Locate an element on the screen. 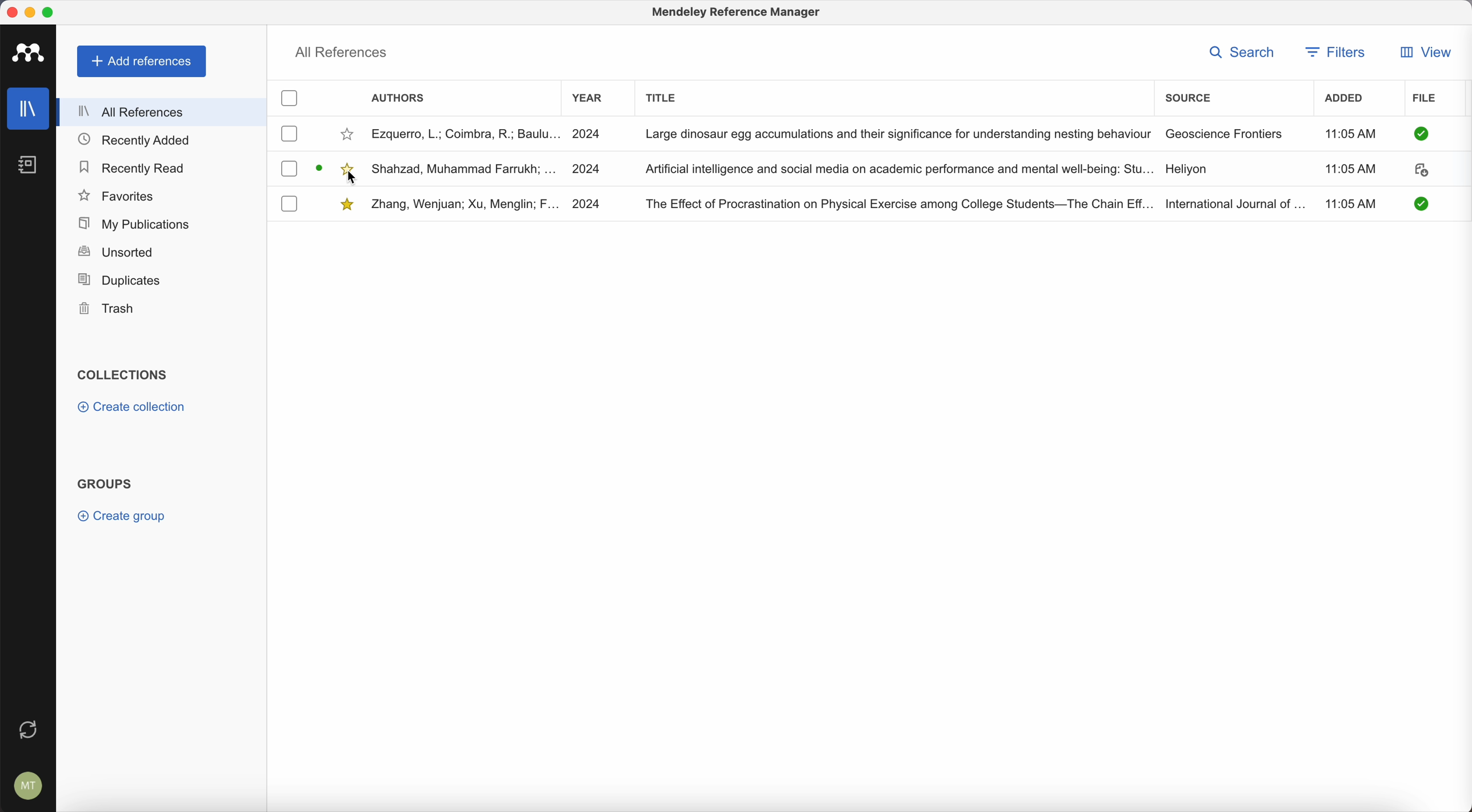  Large dinosaur egg accumulations and their significance for understanding nesting behaviour is located at coordinates (897, 133).